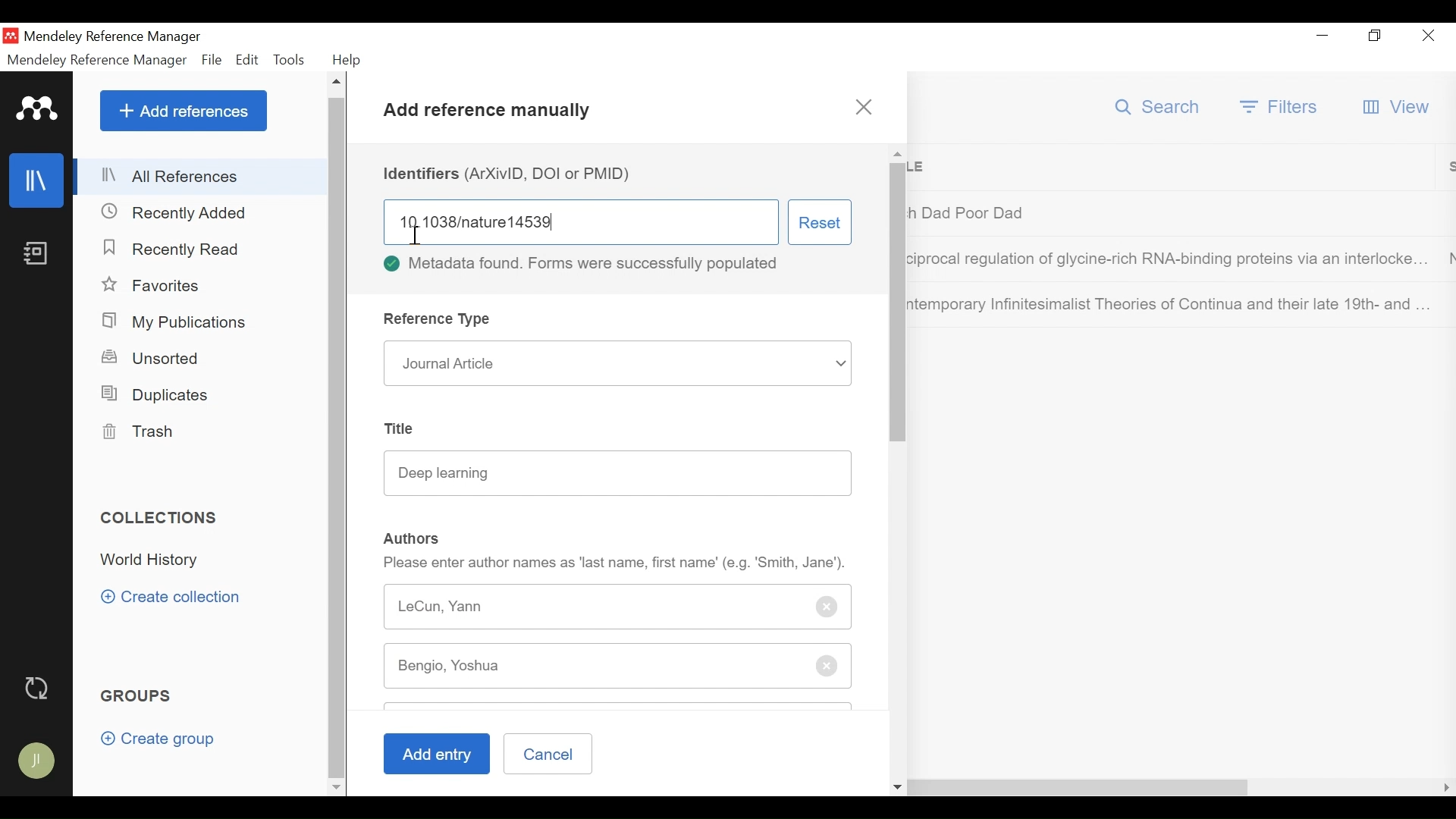 The image size is (1456, 819). What do you see at coordinates (156, 562) in the screenshot?
I see `Collection` at bounding box center [156, 562].